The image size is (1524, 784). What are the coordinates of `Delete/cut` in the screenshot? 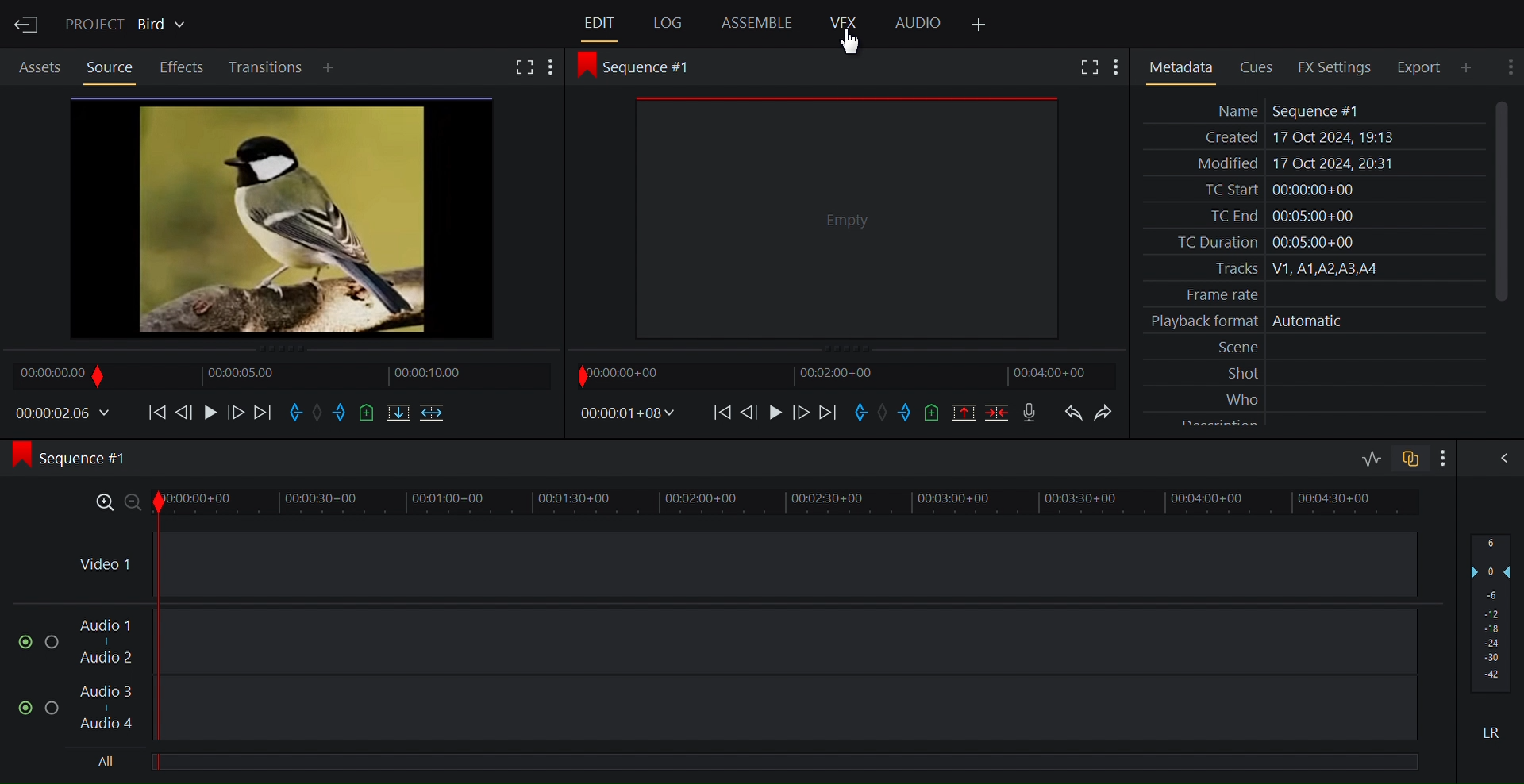 It's located at (999, 414).